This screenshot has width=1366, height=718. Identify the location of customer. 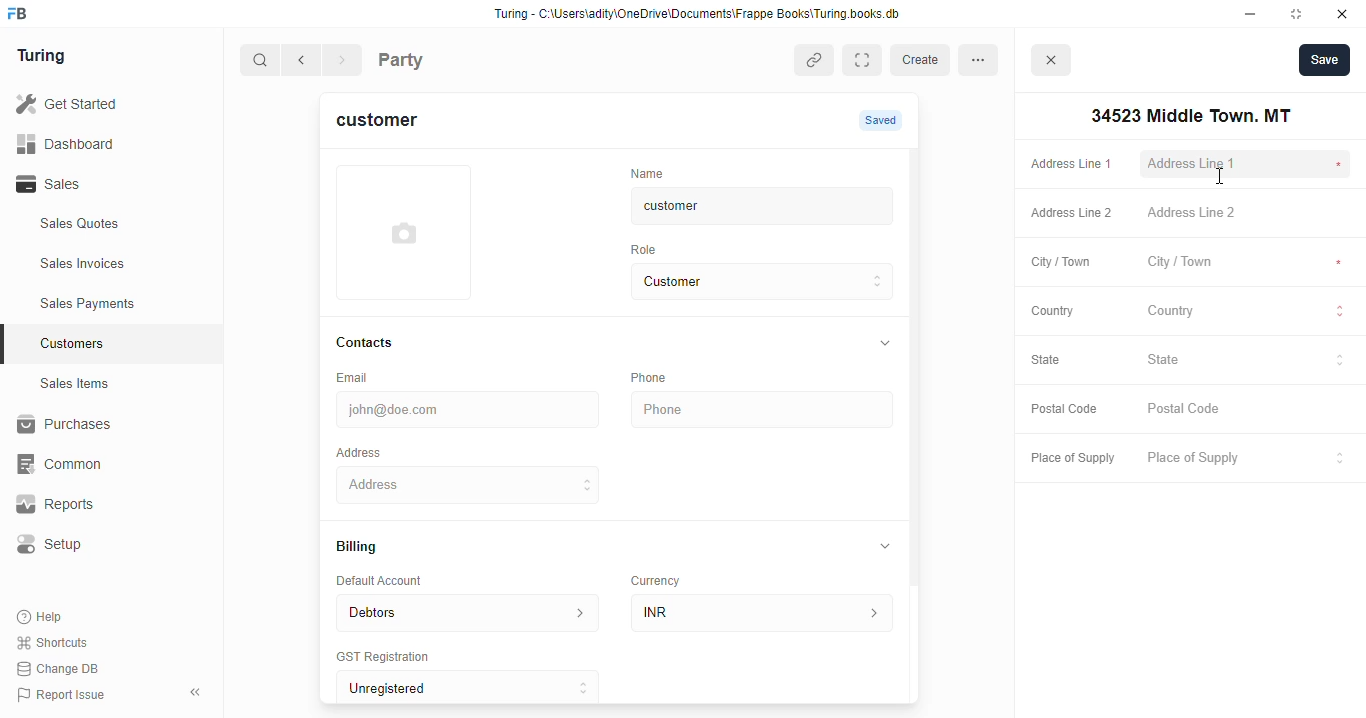
(746, 206).